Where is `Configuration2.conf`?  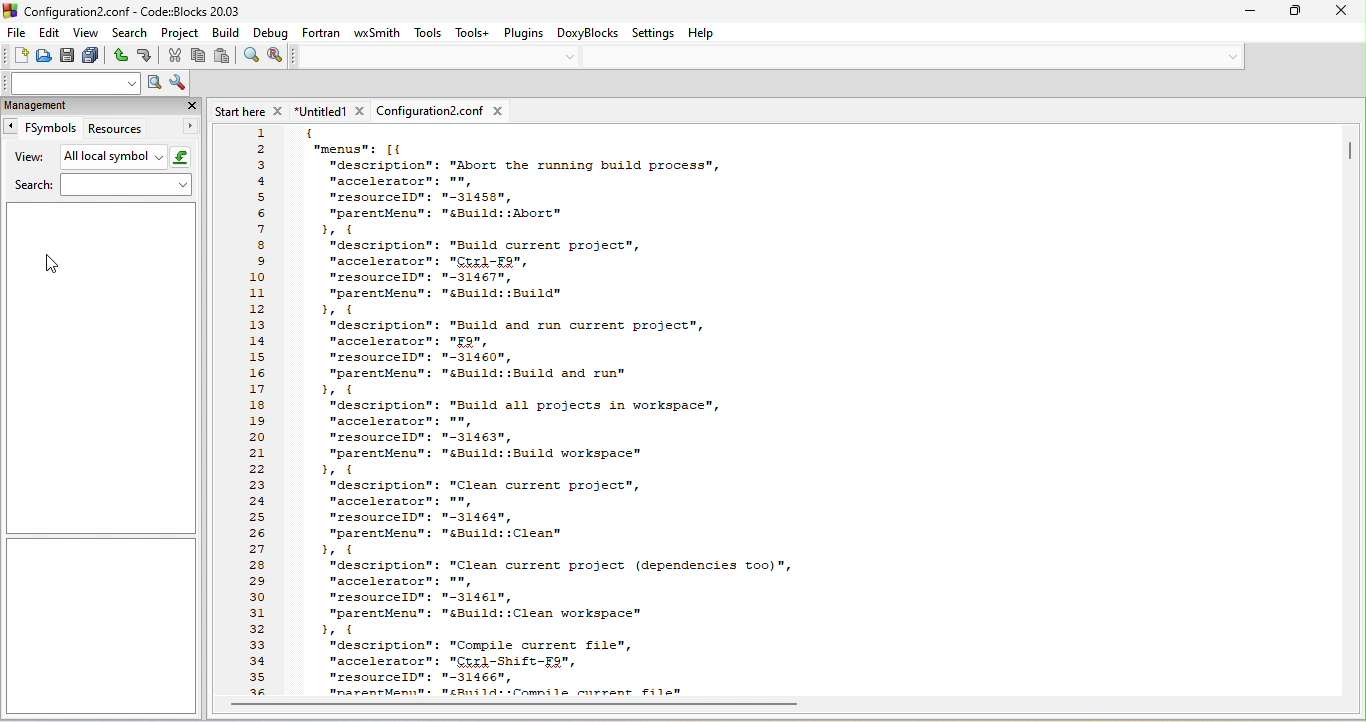
Configuration2.conf is located at coordinates (444, 111).